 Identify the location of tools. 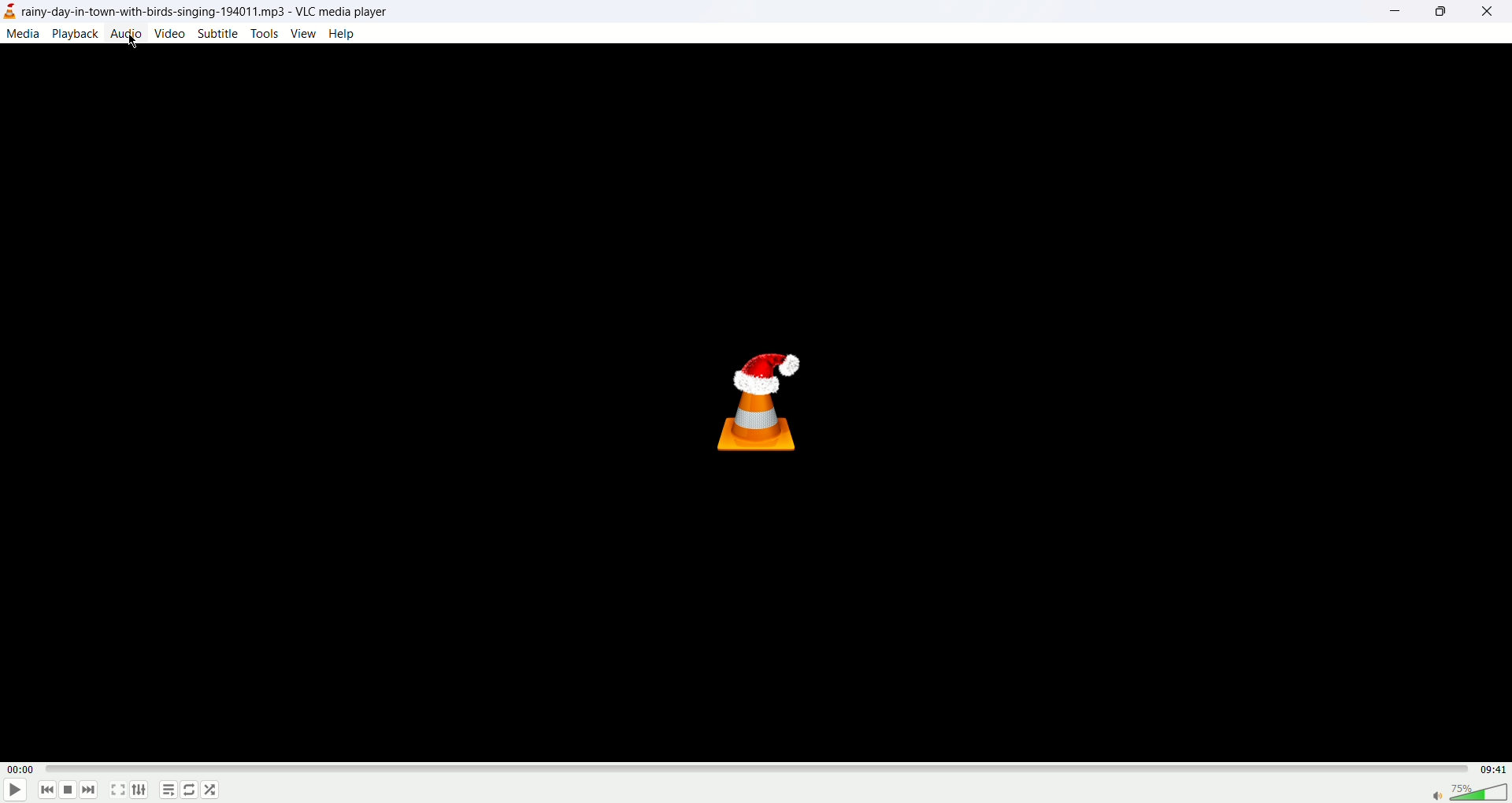
(264, 34).